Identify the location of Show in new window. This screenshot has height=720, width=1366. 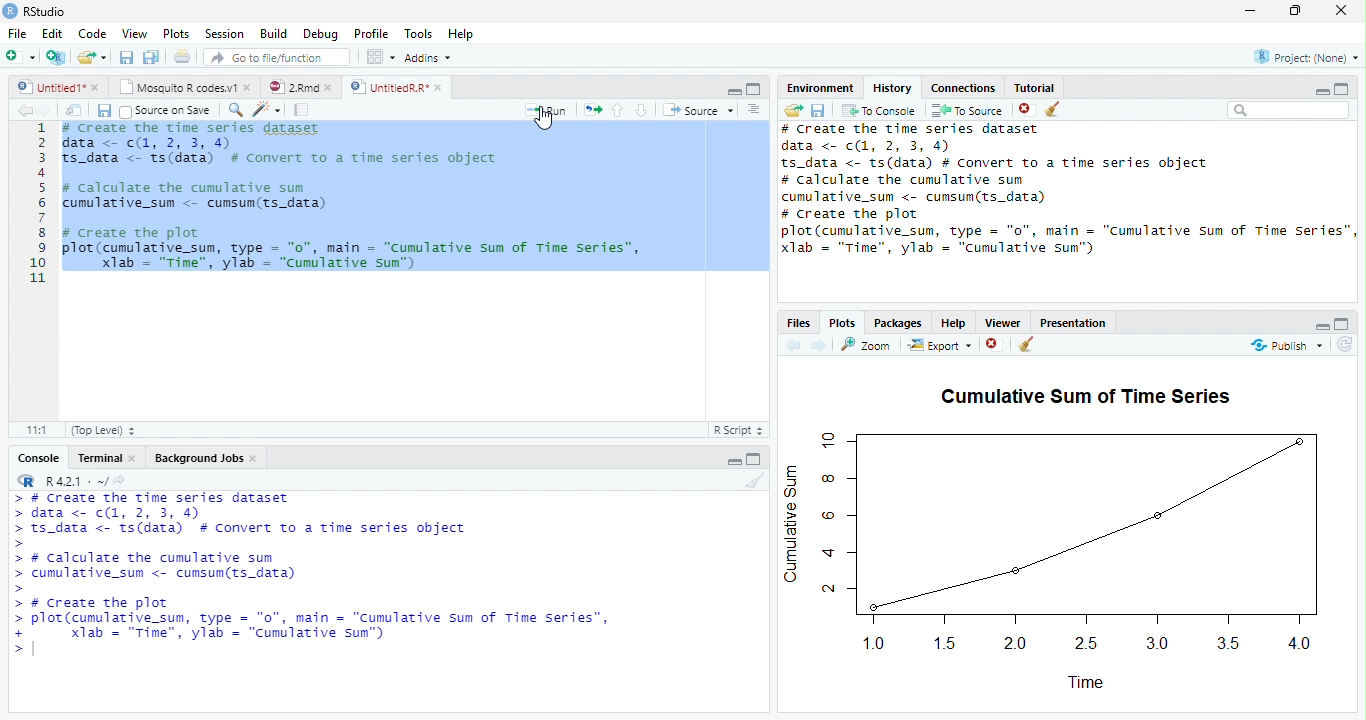
(73, 113).